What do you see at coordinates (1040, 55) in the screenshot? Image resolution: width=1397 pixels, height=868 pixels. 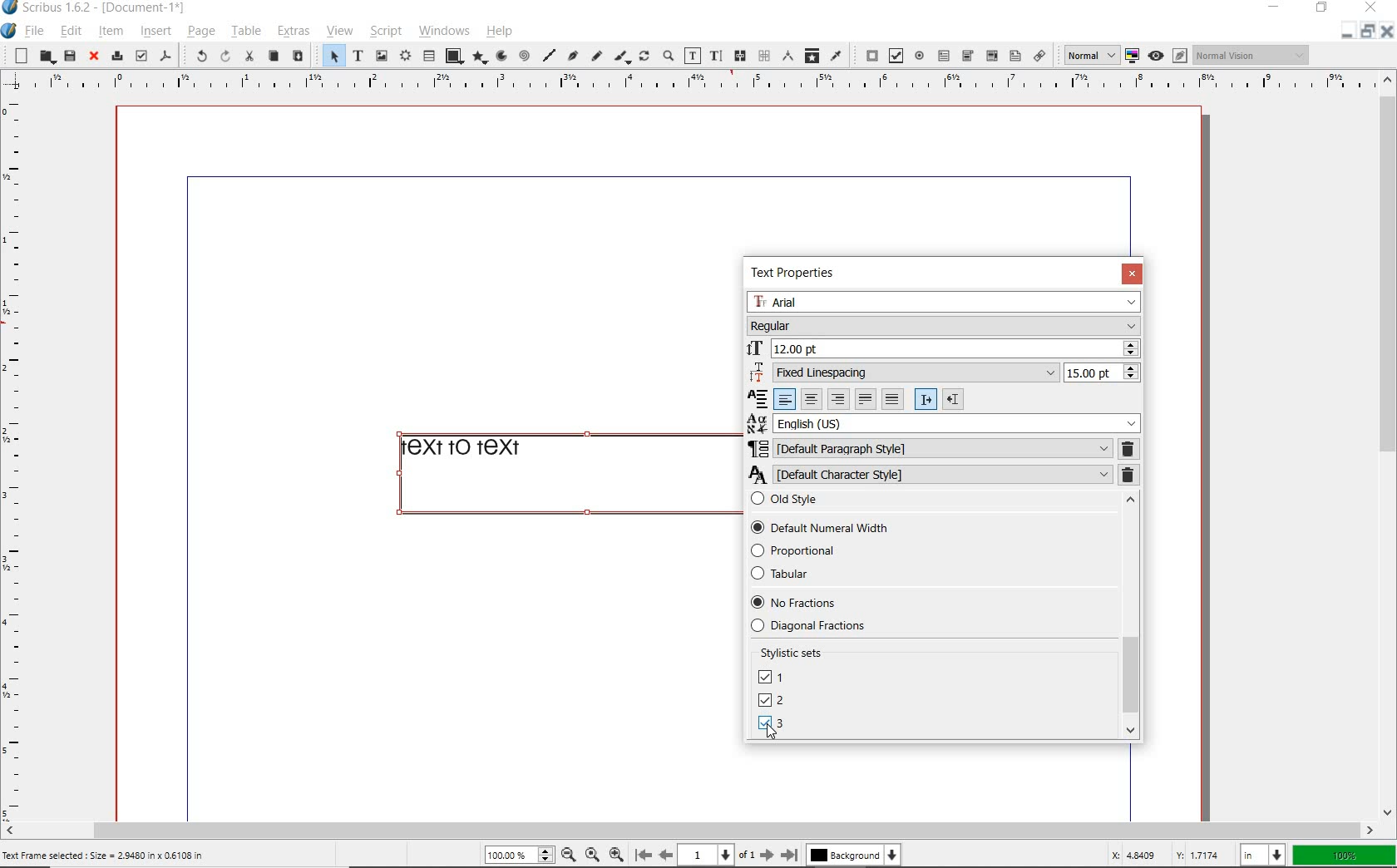 I see `link annotation` at bounding box center [1040, 55].